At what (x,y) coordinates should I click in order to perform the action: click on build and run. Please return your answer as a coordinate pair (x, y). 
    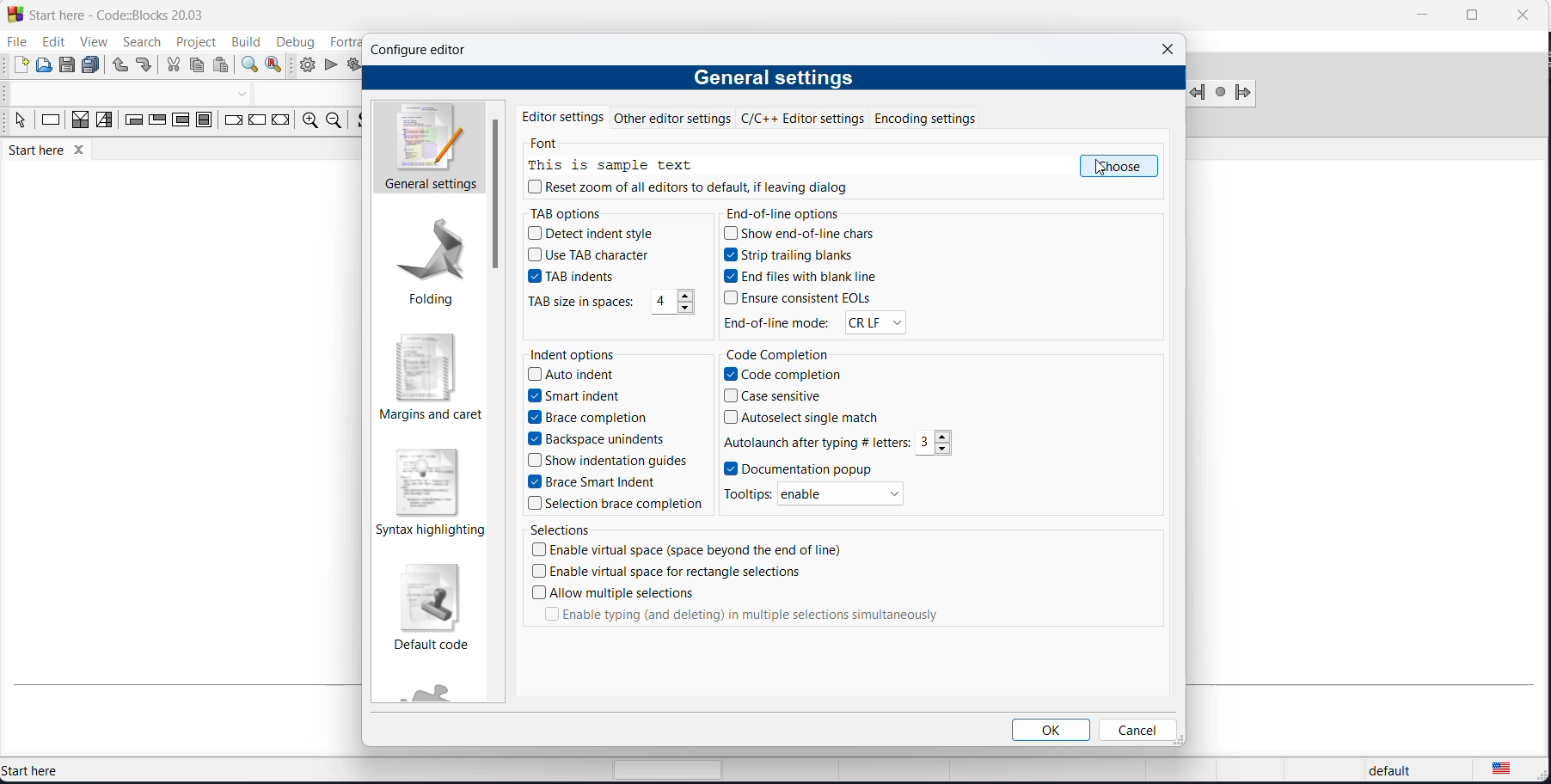
    Looking at the image, I should click on (352, 66).